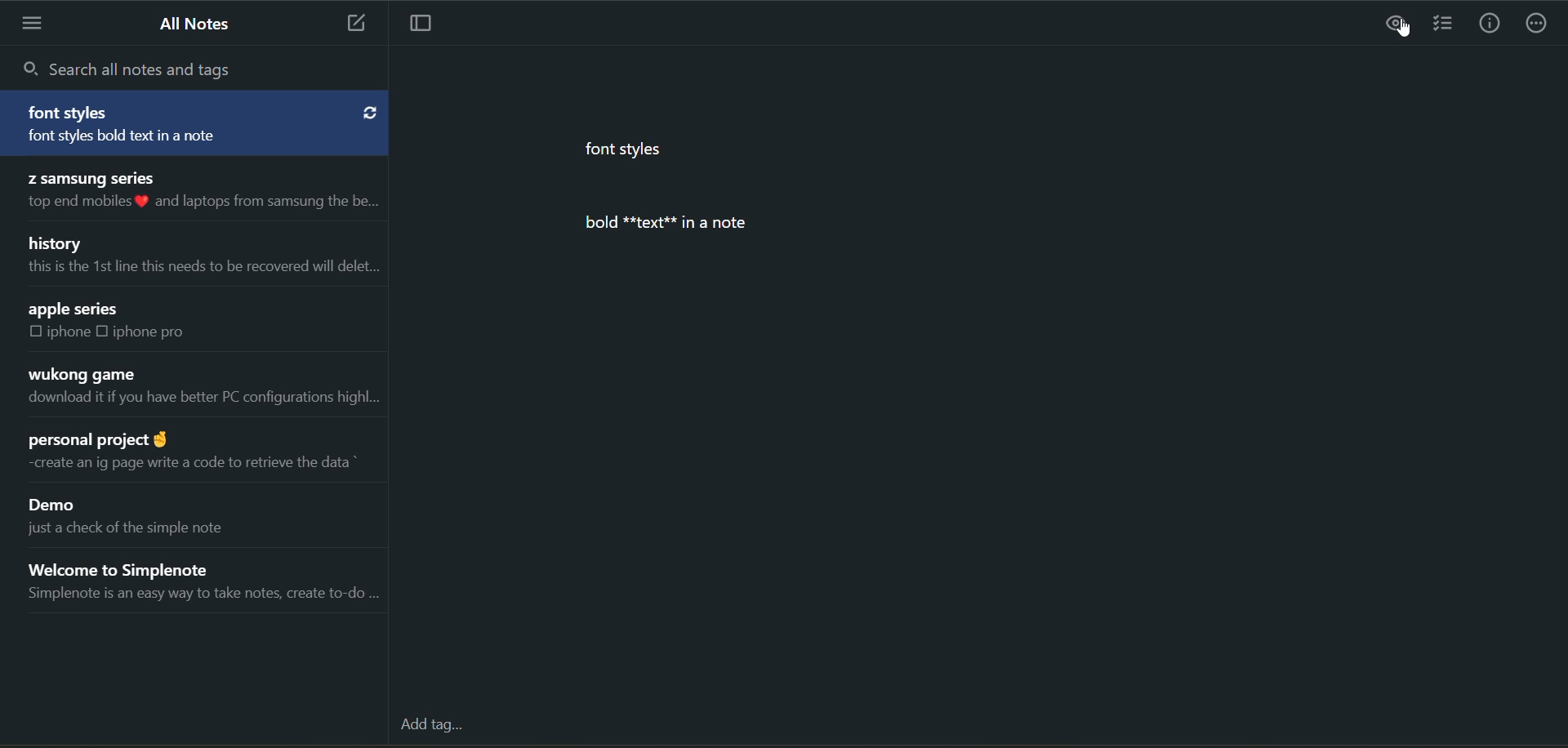  I want to click on add tag, so click(439, 729).